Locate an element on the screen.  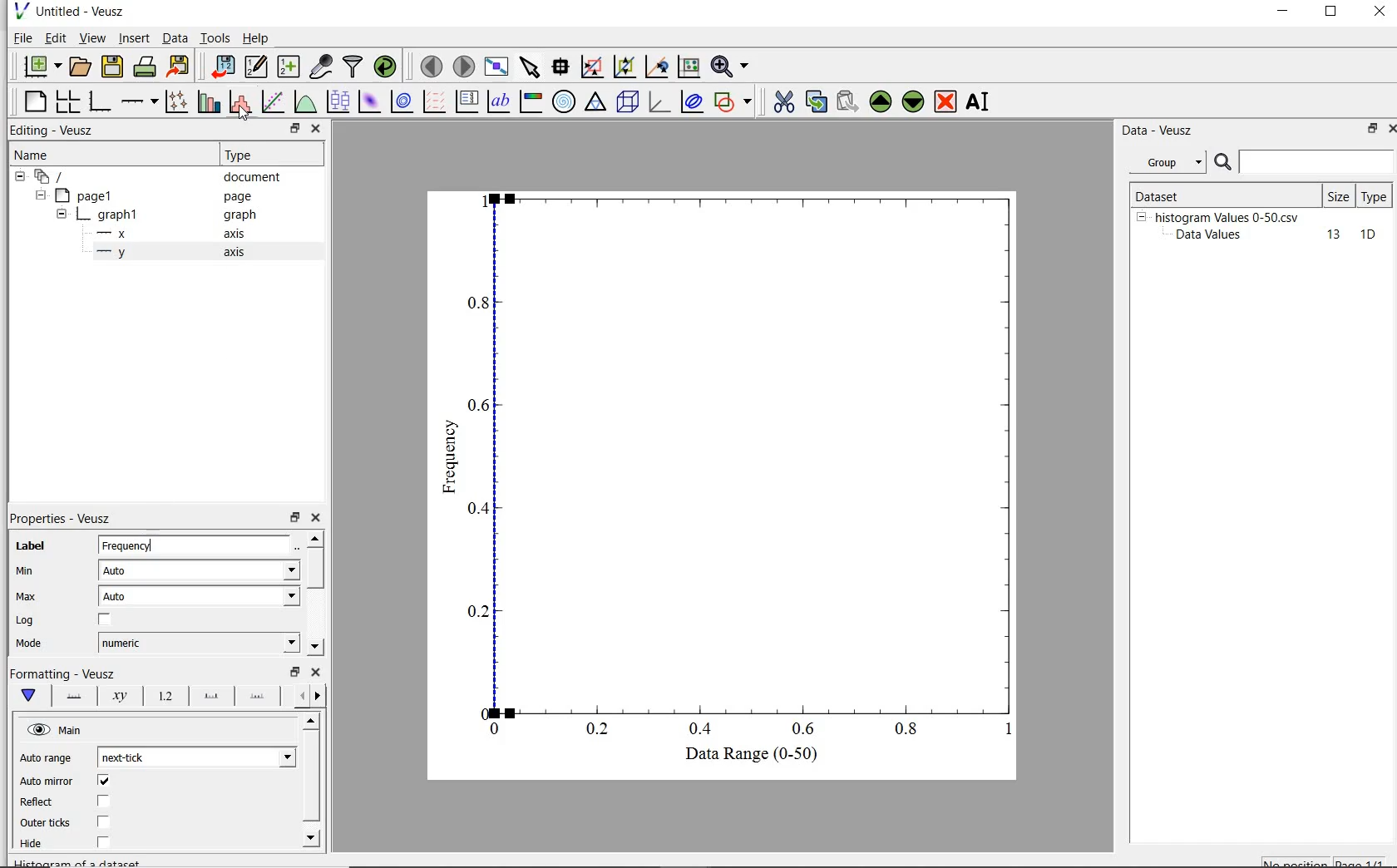
view is located at coordinates (95, 37).